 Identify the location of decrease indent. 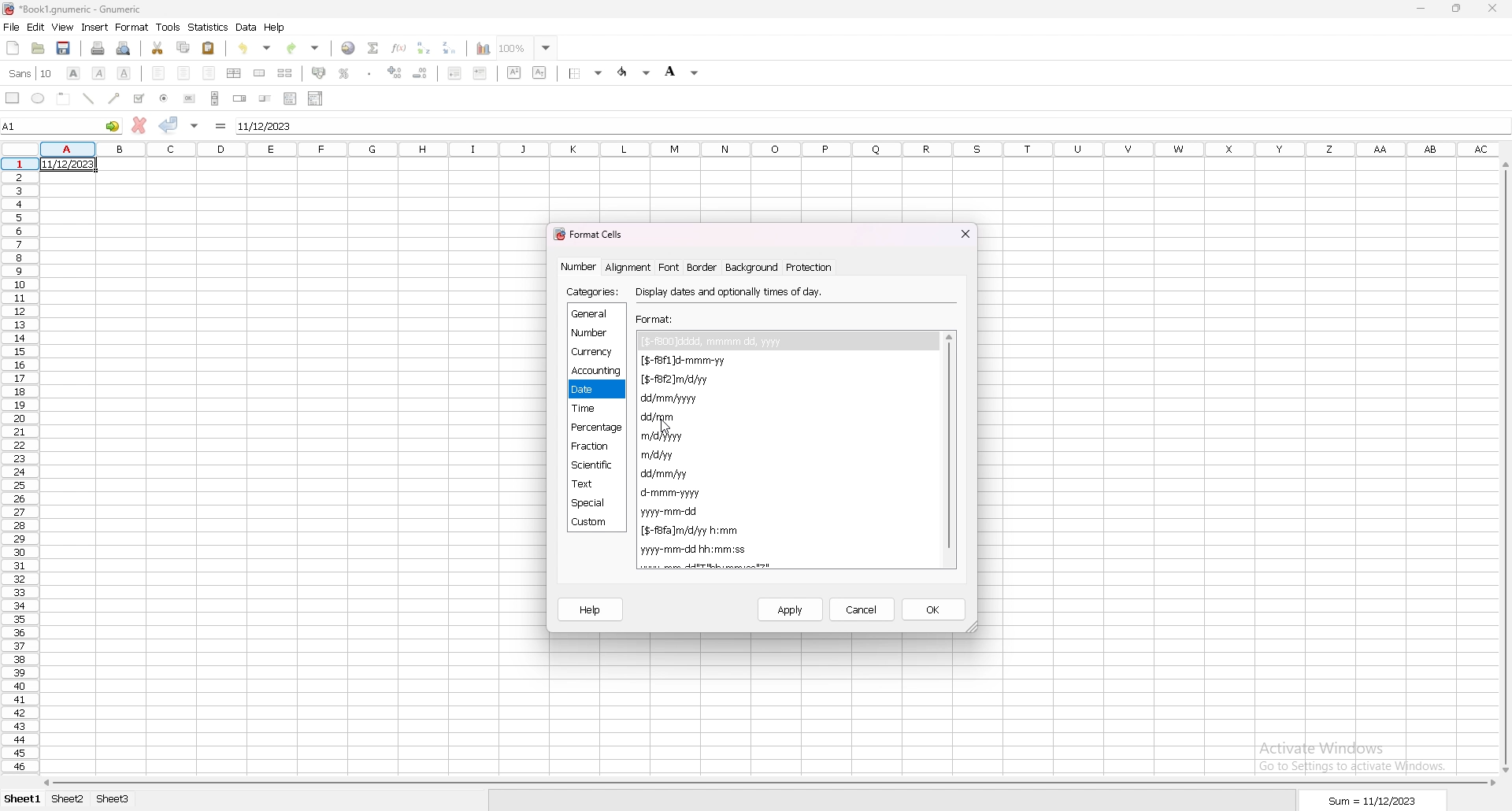
(455, 72).